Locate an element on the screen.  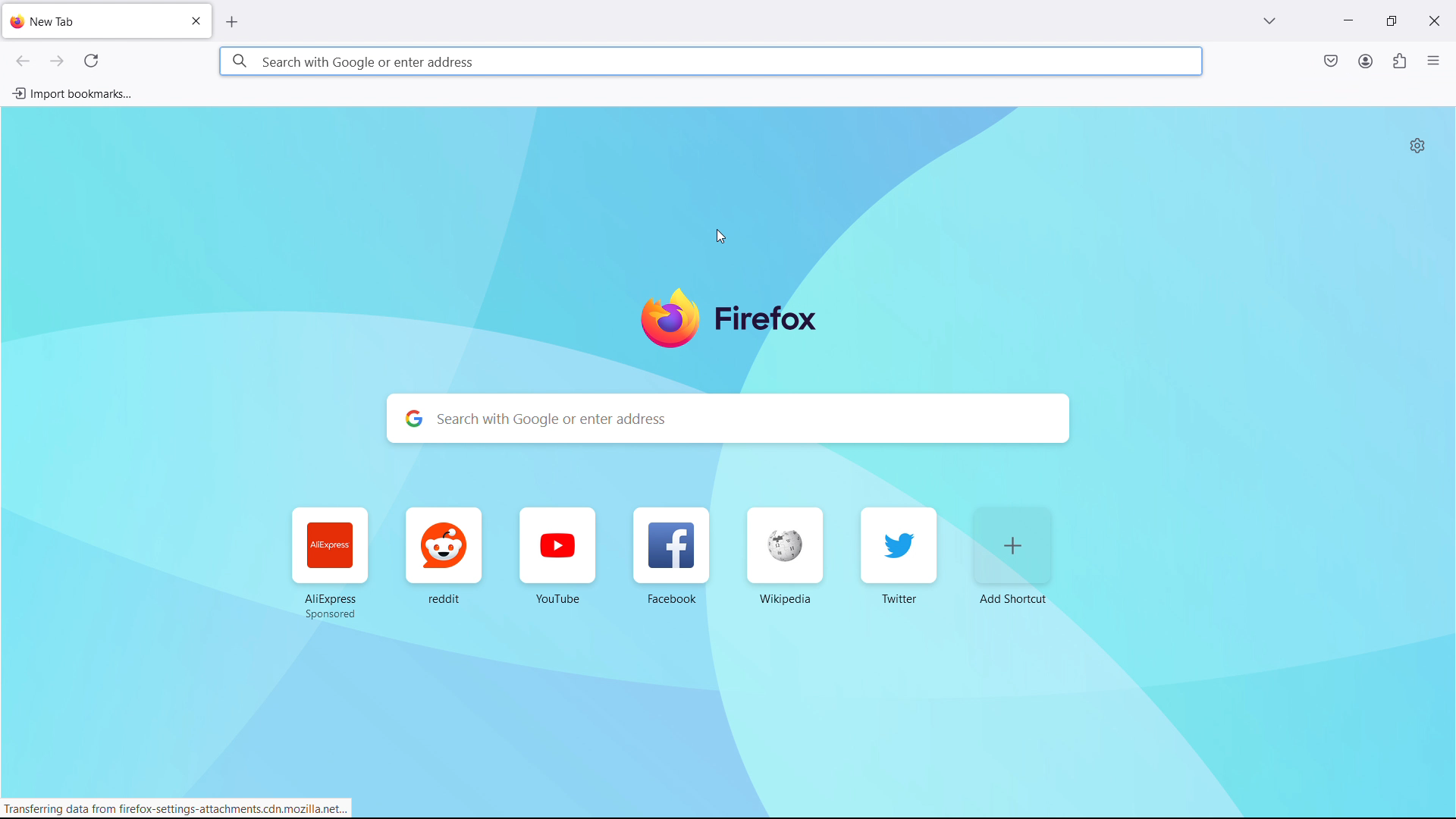
firefox logo is located at coordinates (730, 322).